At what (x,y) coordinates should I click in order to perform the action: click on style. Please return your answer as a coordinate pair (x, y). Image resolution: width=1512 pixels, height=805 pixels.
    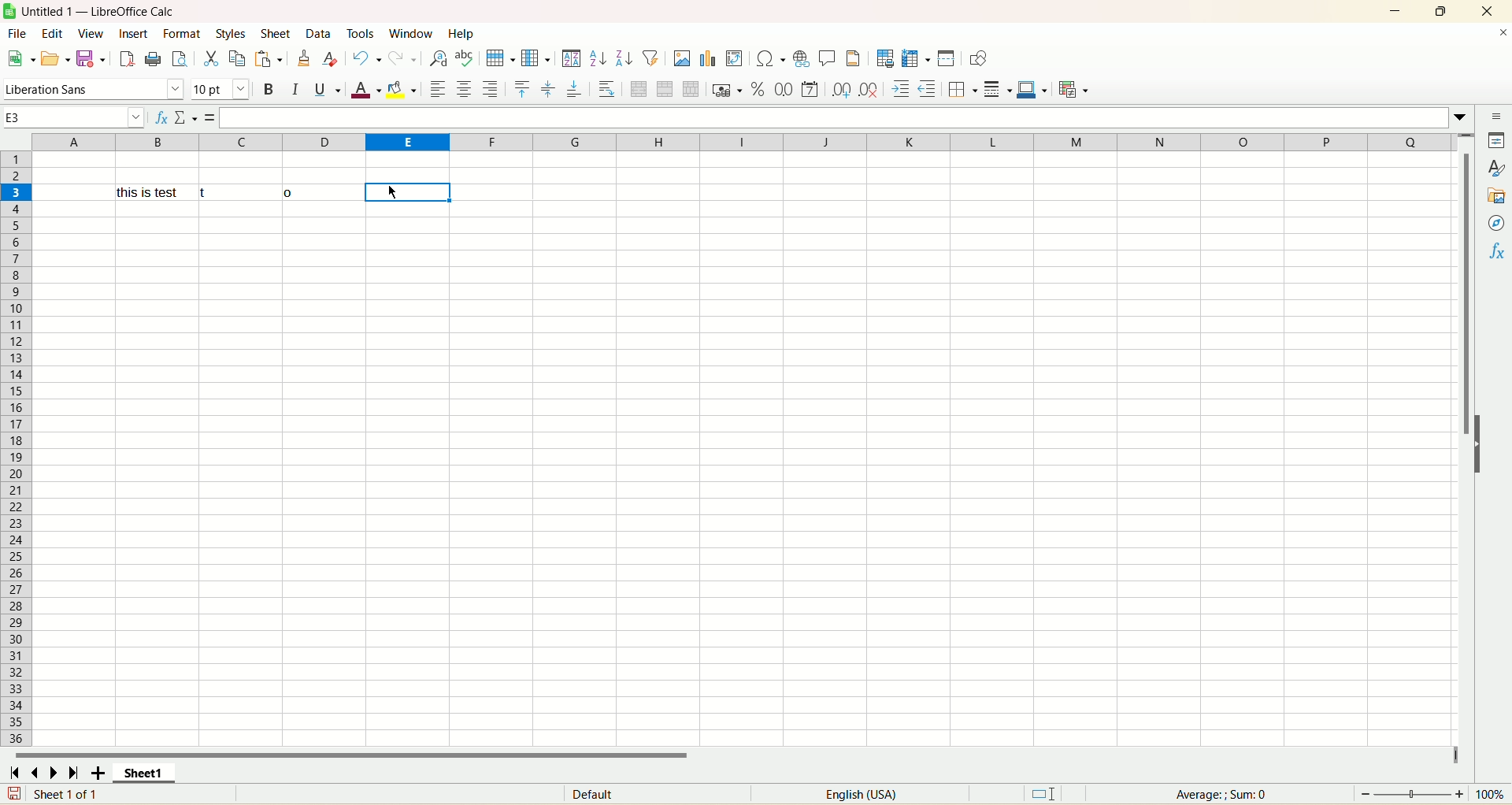
    Looking at the image, I should click on (1492, 169).